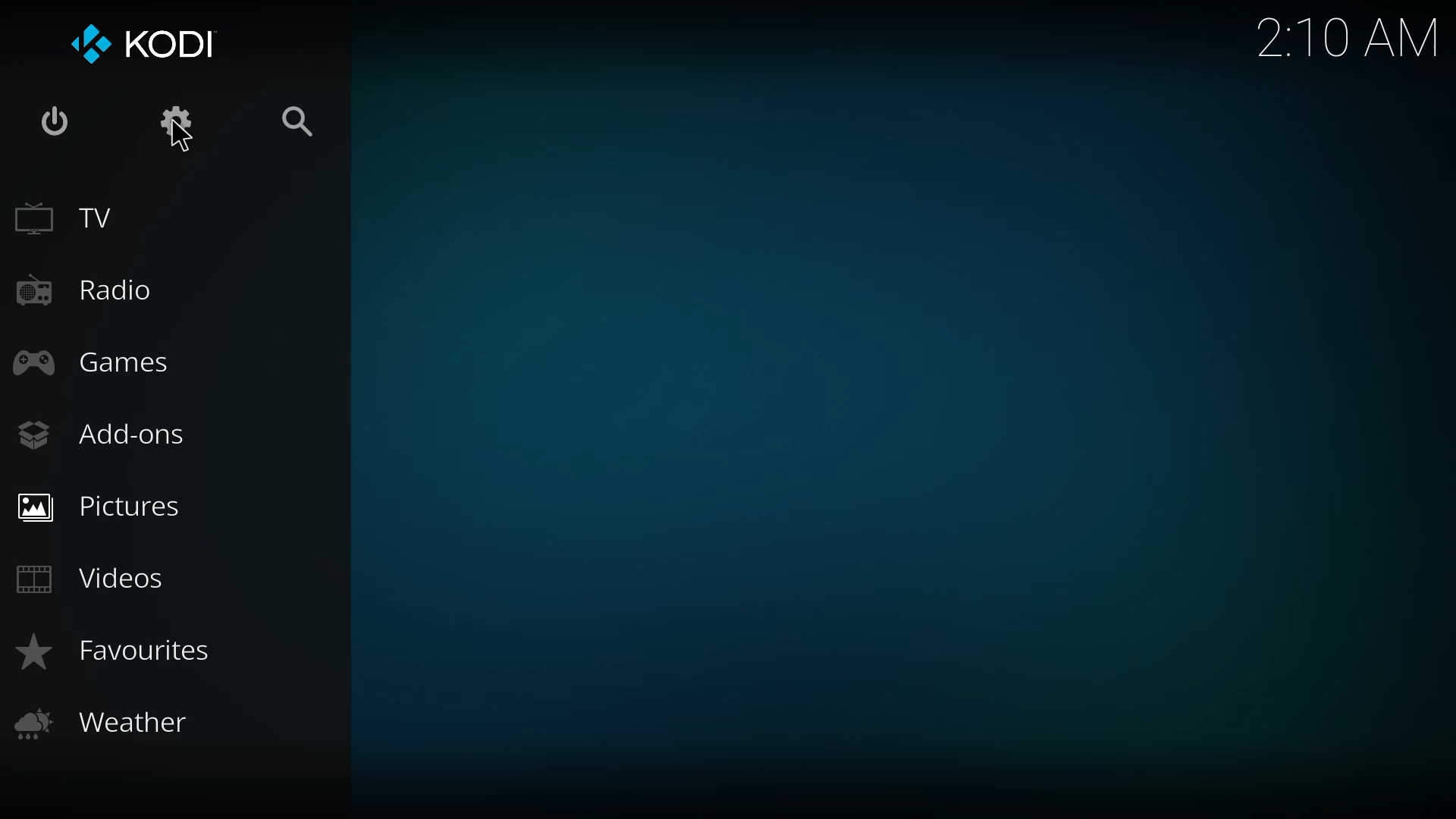 The height and width of the screenshot is (819, 1456). I want to click on kodi, so click(148, 43).